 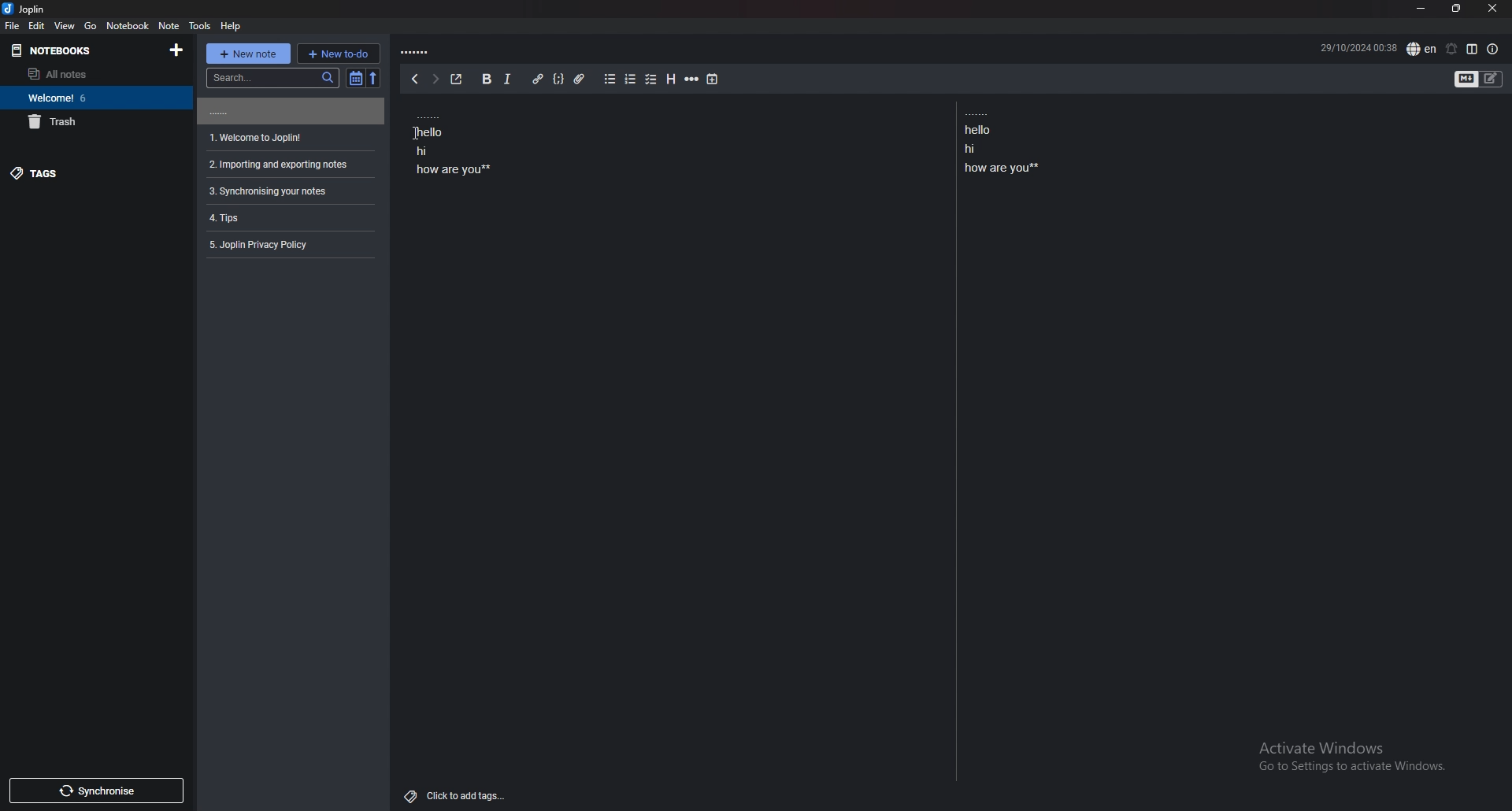 What do you see at coordinates (1423, 49) in the screenshot?
I see `spell check` at bounding box center [1423, 49].